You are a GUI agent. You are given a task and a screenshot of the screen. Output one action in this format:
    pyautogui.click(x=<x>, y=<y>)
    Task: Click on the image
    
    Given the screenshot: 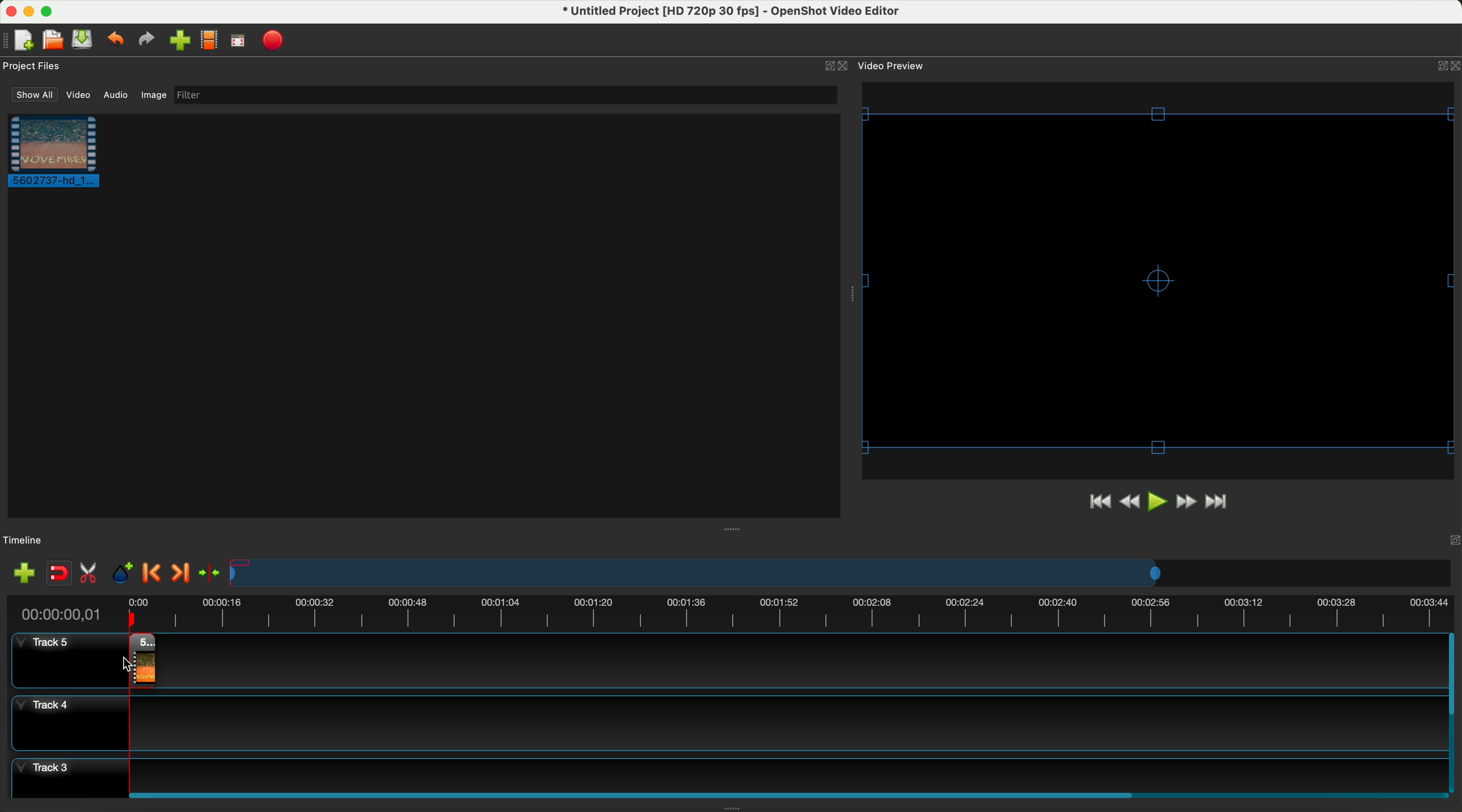 What is the action you would take?
    pyautogui.click(x=154, y=95)
    